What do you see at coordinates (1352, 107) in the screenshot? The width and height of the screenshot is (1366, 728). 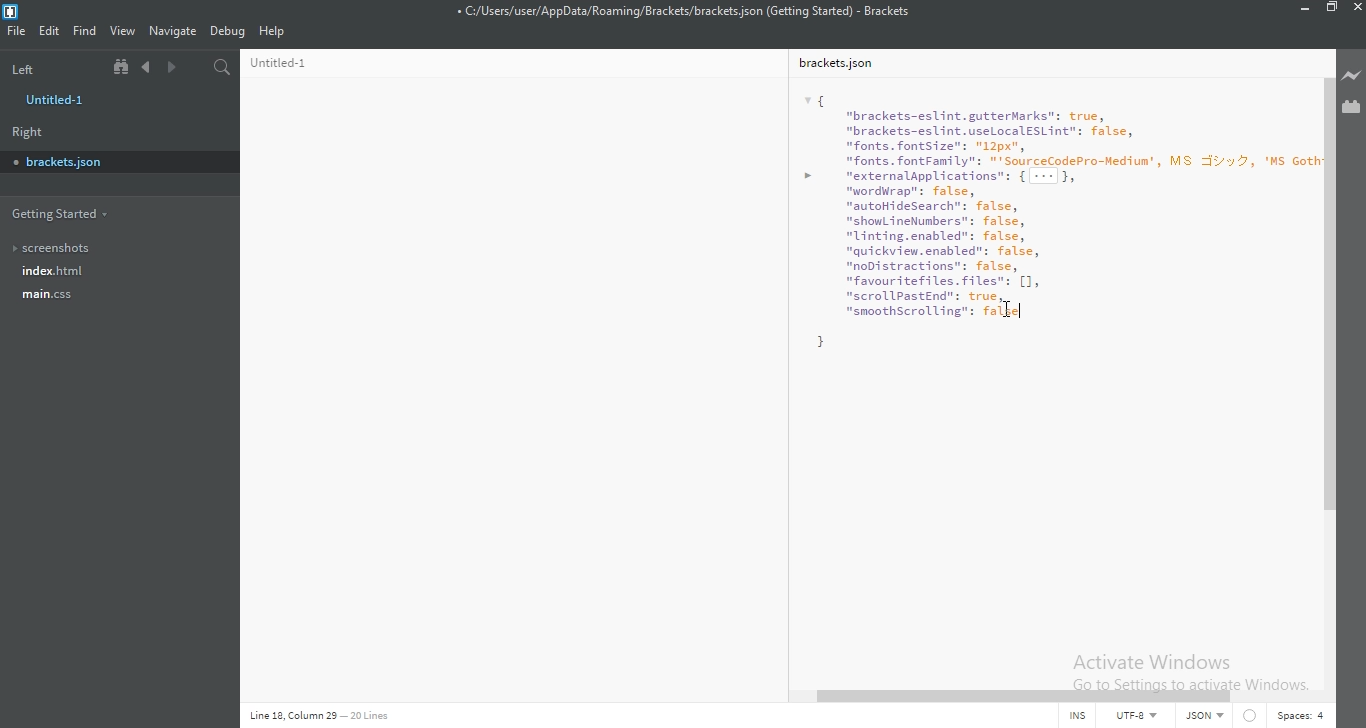 I see `Extension Manager` at bounding box center [1352, 107].